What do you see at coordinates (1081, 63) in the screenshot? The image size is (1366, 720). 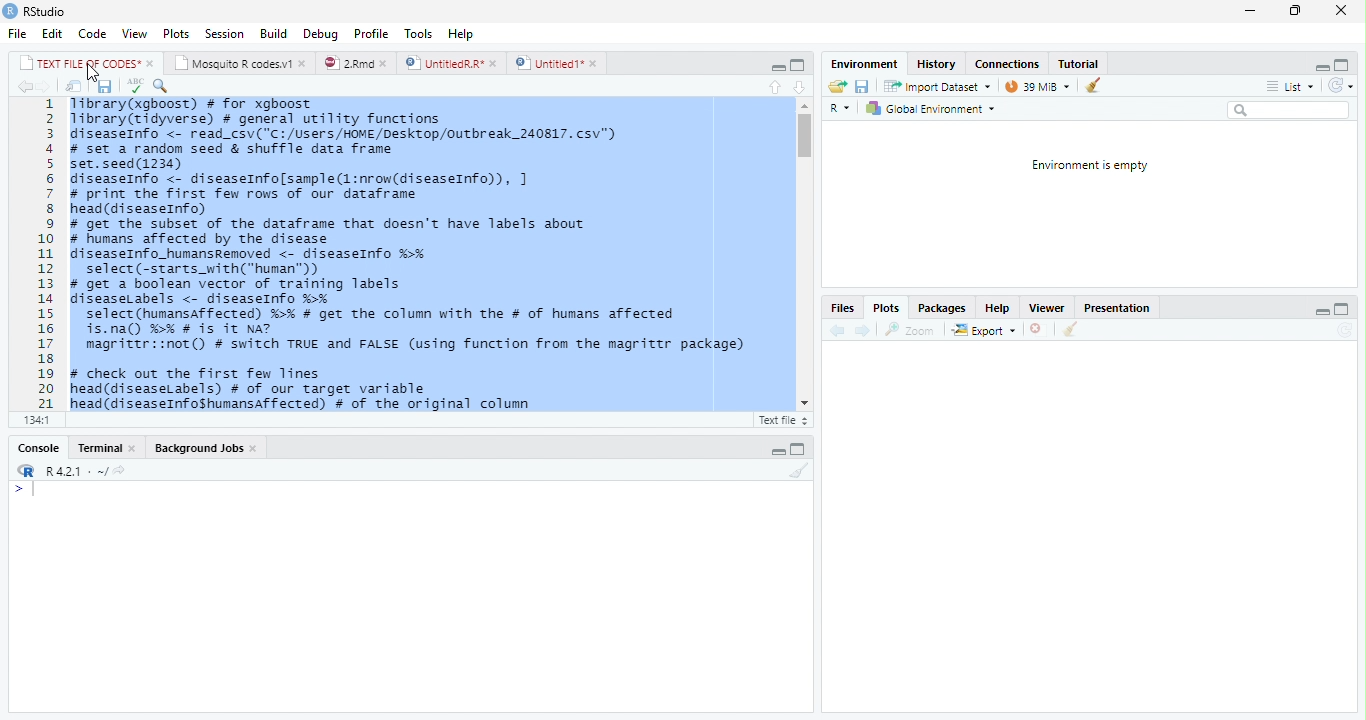 I see `Tutorial` at bounding box center [1081, 63].